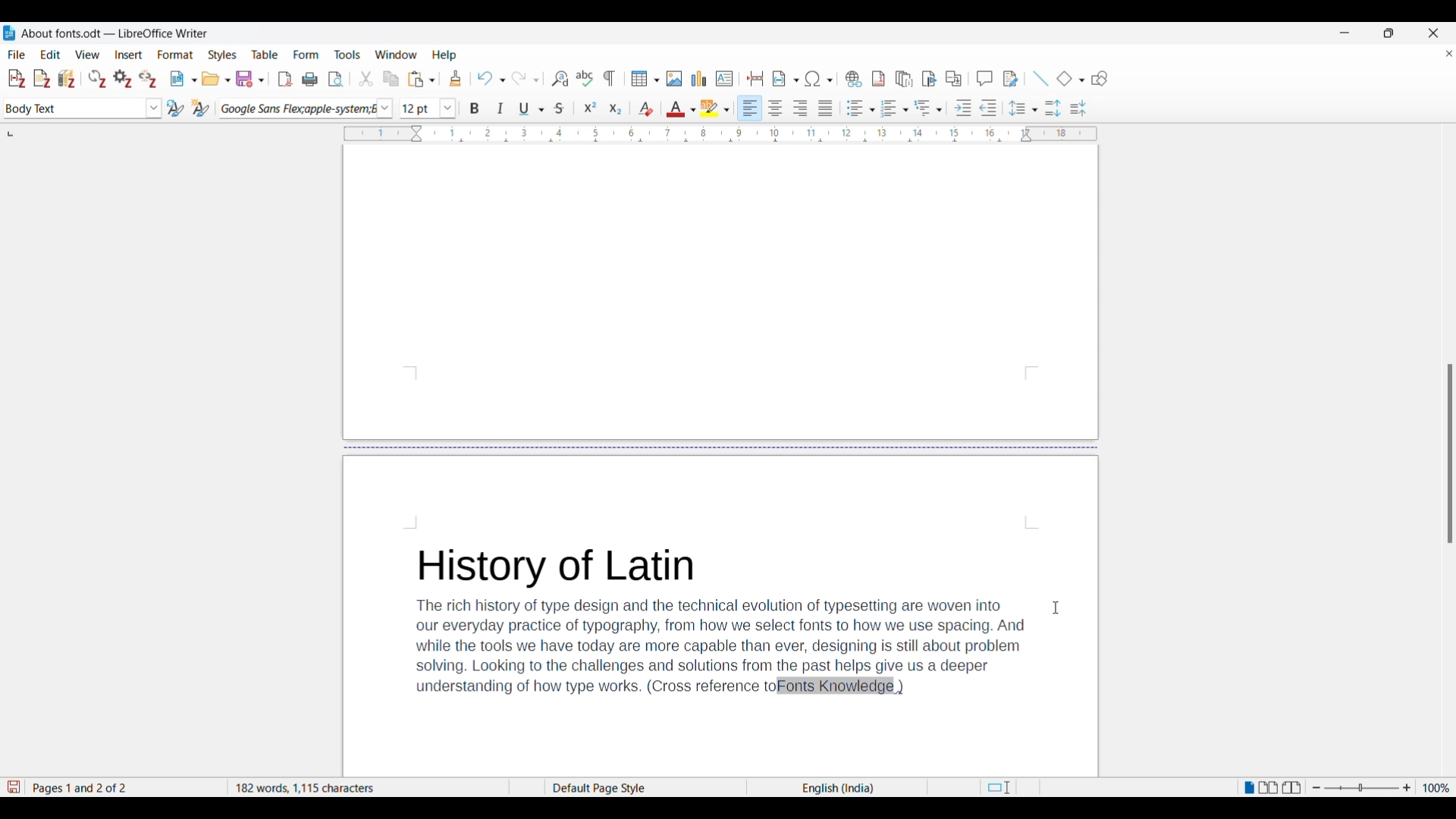 The height and width of the screenshot is (819, 1456). Describe the element at coordinates (347, 55) in the screenshot. I see `Tools menu` at that location.